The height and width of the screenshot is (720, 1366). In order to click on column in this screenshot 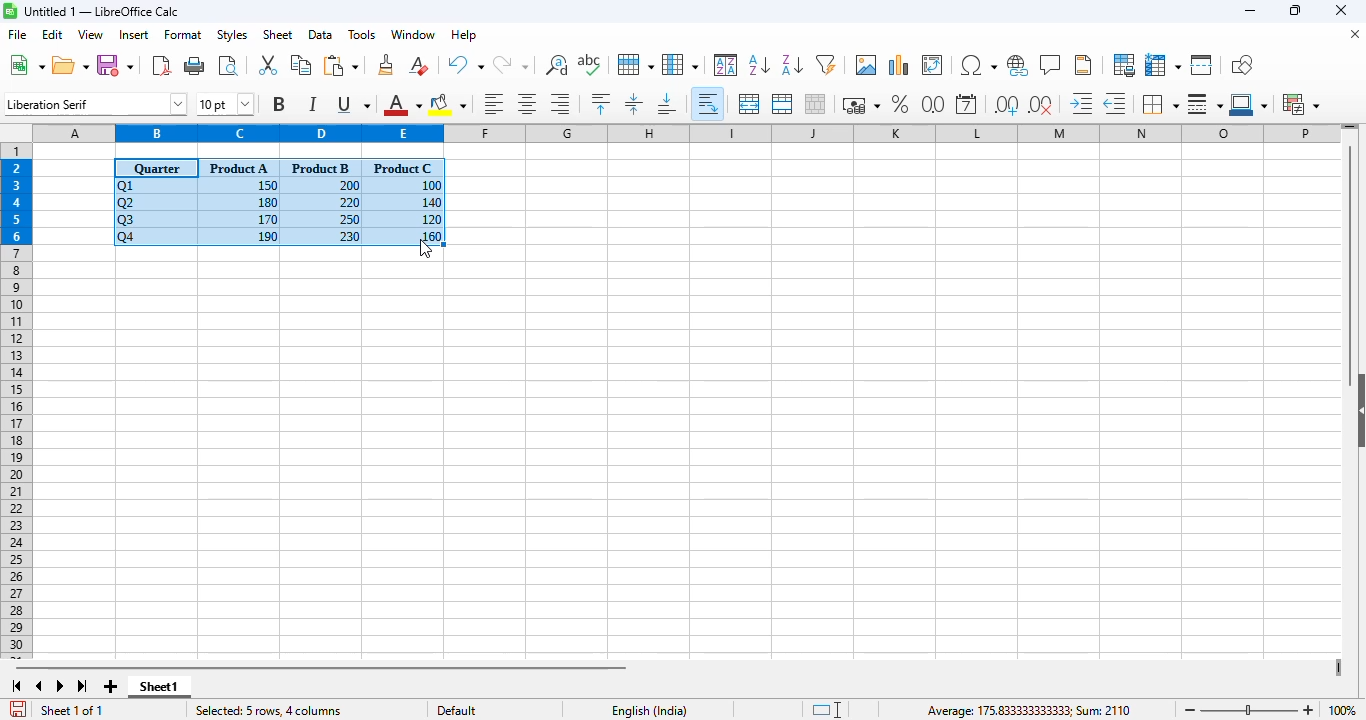, I will do `click(680, 64)`.